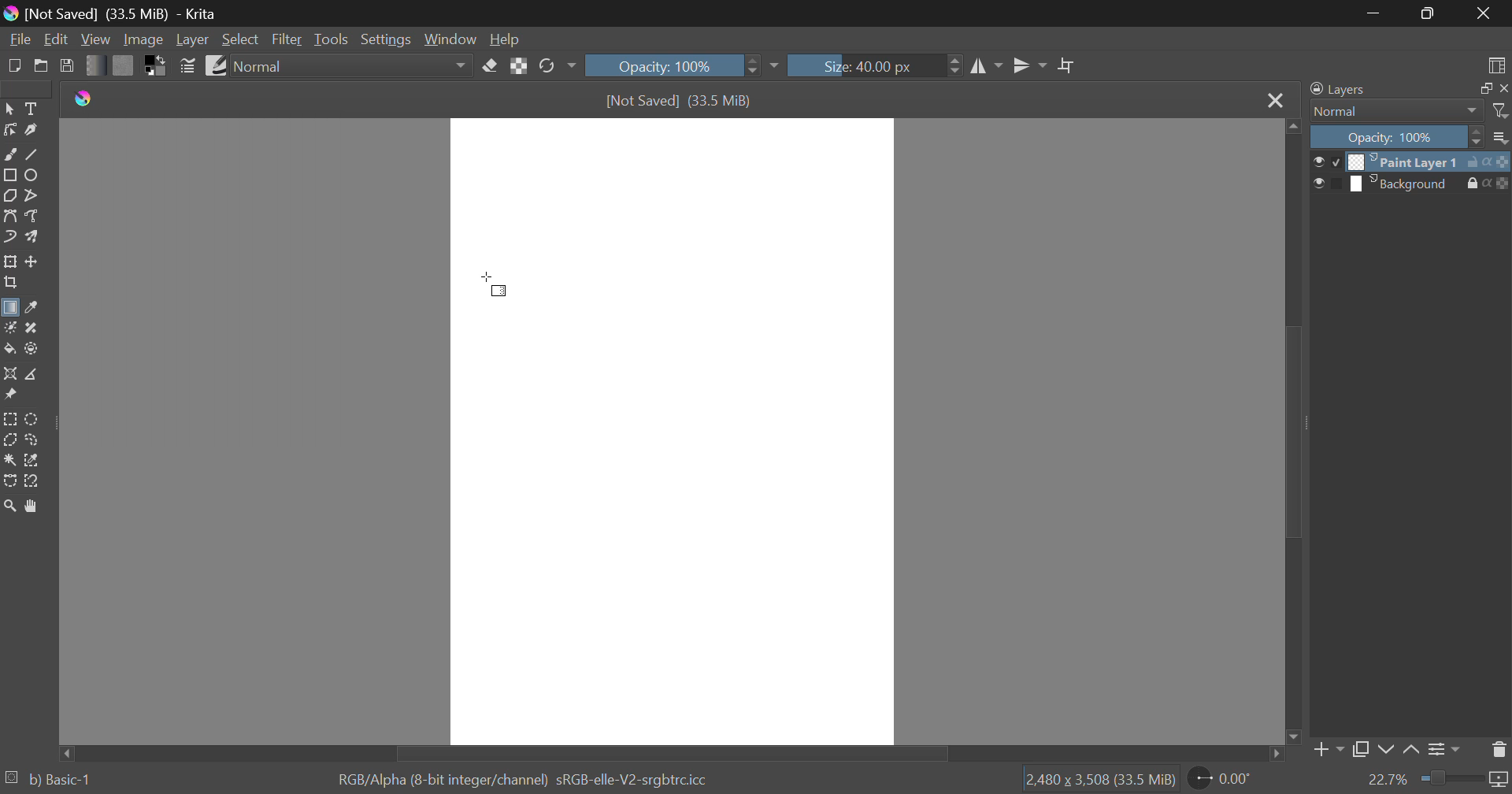  I want to click on Edit Shapes, so click(9, 130).